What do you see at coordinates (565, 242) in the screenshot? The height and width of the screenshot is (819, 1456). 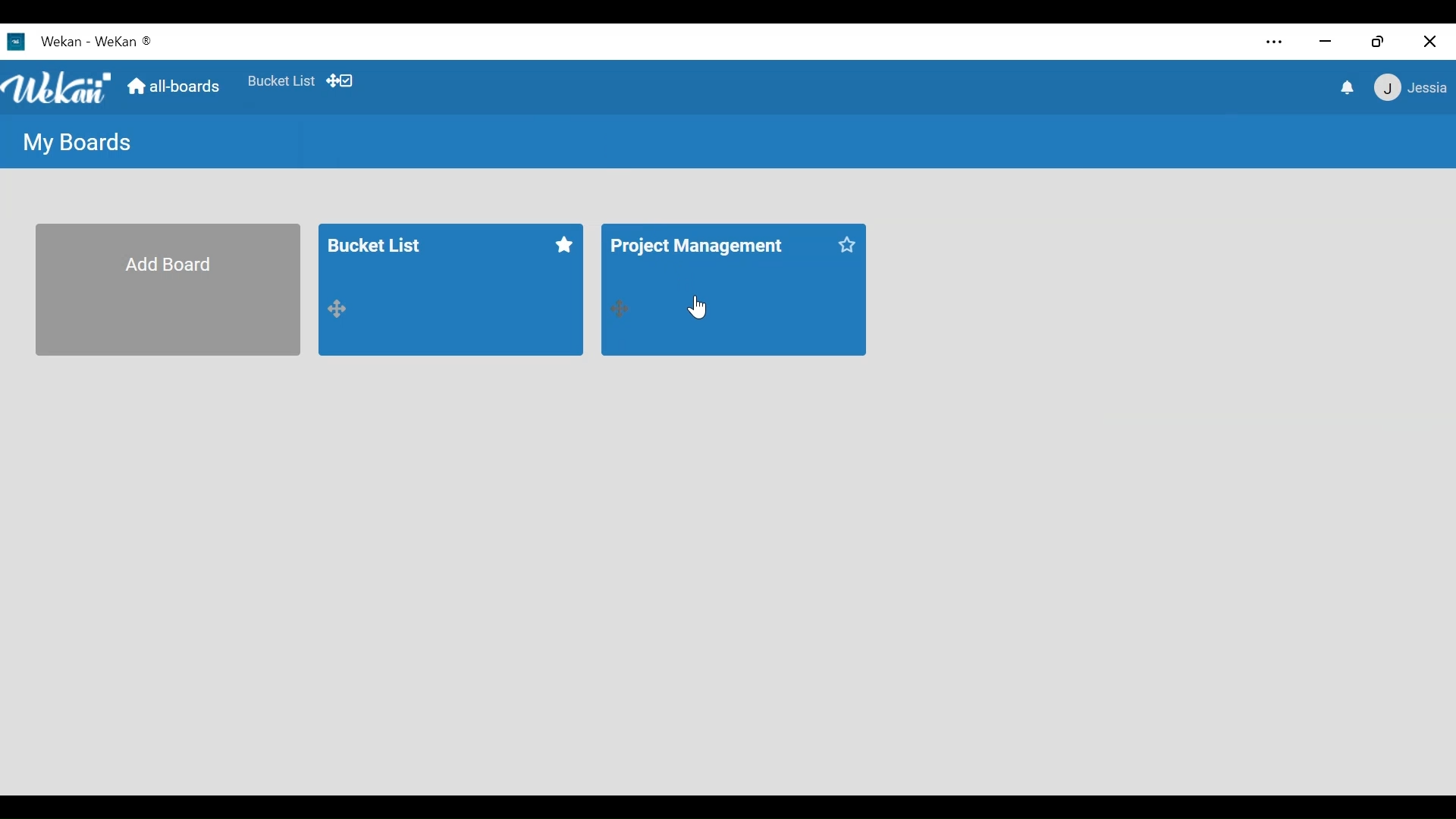 I see `click to start this board` at bounding box center [565, 242].